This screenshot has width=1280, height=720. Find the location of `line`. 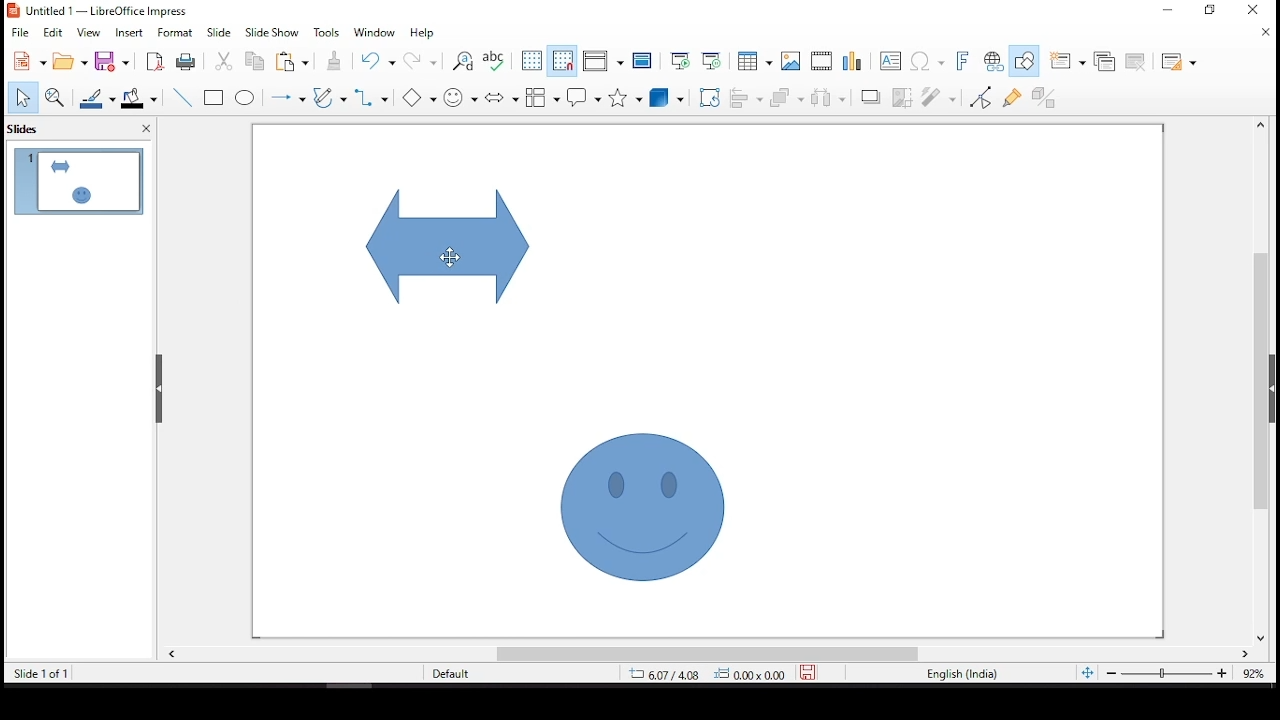

line is located at coordinates (182, 98).